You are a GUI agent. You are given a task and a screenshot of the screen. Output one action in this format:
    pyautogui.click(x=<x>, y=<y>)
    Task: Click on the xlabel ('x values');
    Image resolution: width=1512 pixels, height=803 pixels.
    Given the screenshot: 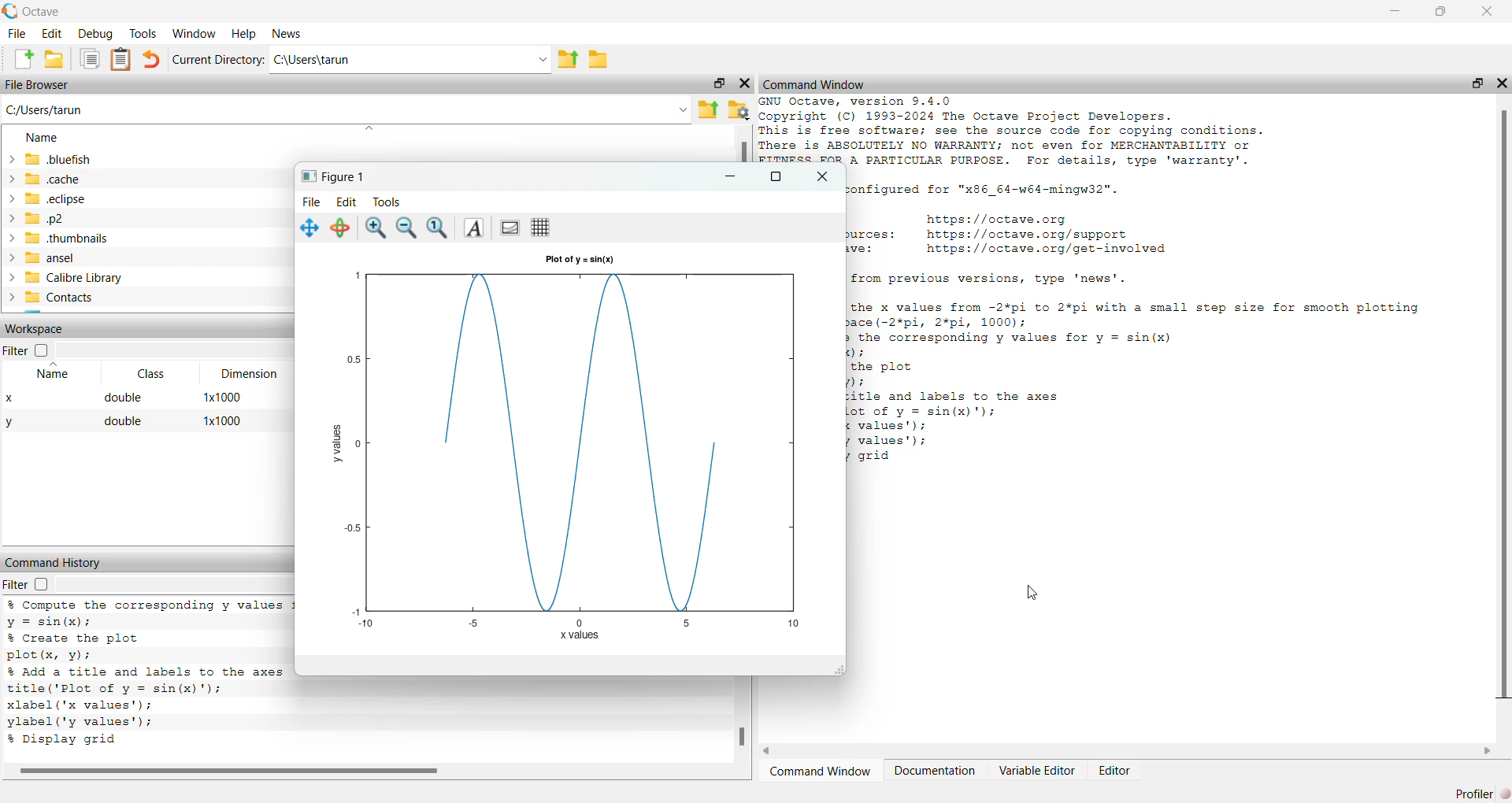 What is the action you would take?
    pyautogui.click(x=83, y=705)
    